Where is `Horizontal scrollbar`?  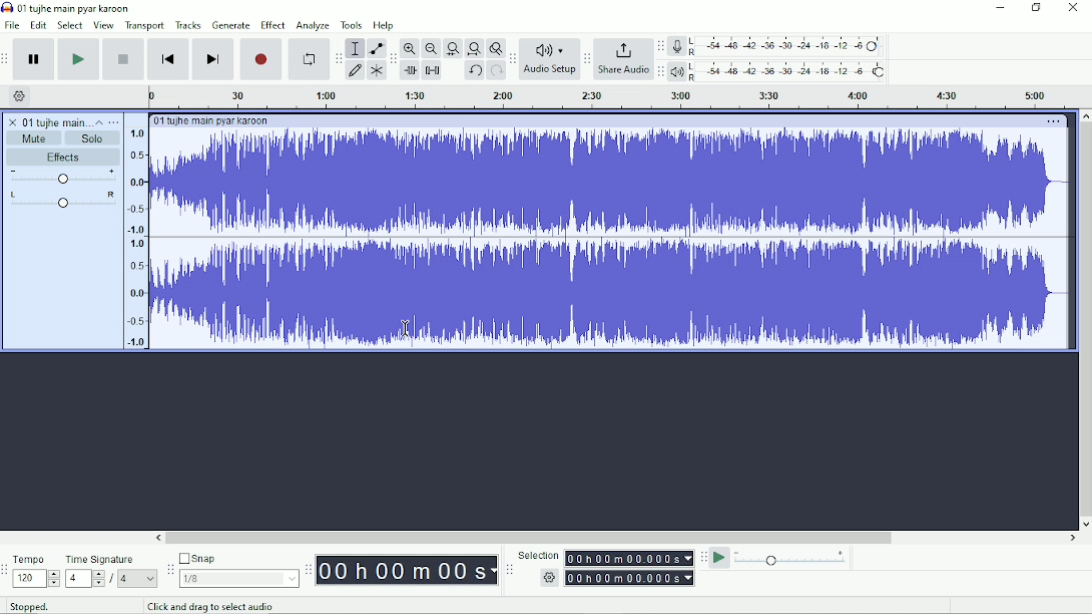 Horizontal scrollbar is located at coordinates (615, 539).